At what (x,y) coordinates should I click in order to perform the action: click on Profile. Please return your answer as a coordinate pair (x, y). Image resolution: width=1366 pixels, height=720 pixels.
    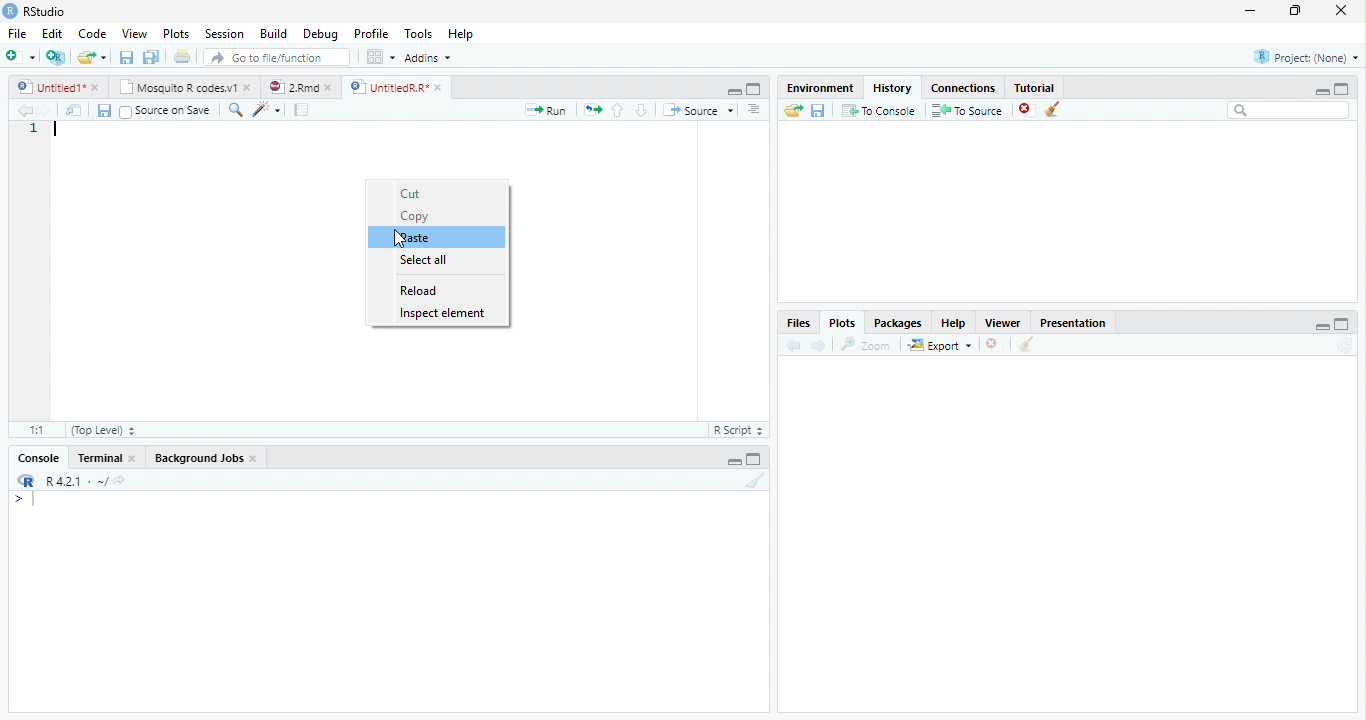
    Looking at the image, I should click on (372, 34).